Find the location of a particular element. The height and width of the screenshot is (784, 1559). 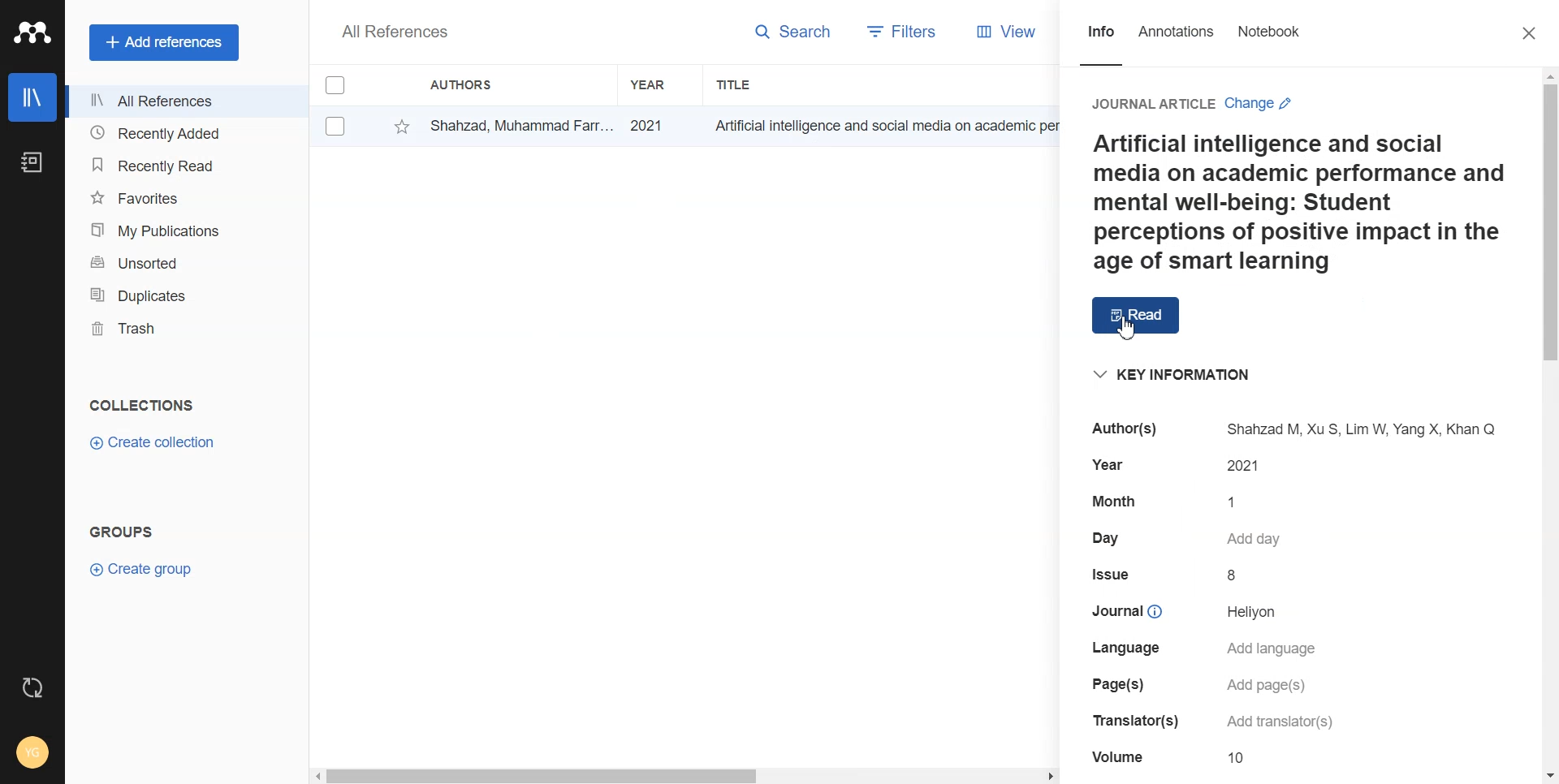

Add references is located at coordinates (164, 43).